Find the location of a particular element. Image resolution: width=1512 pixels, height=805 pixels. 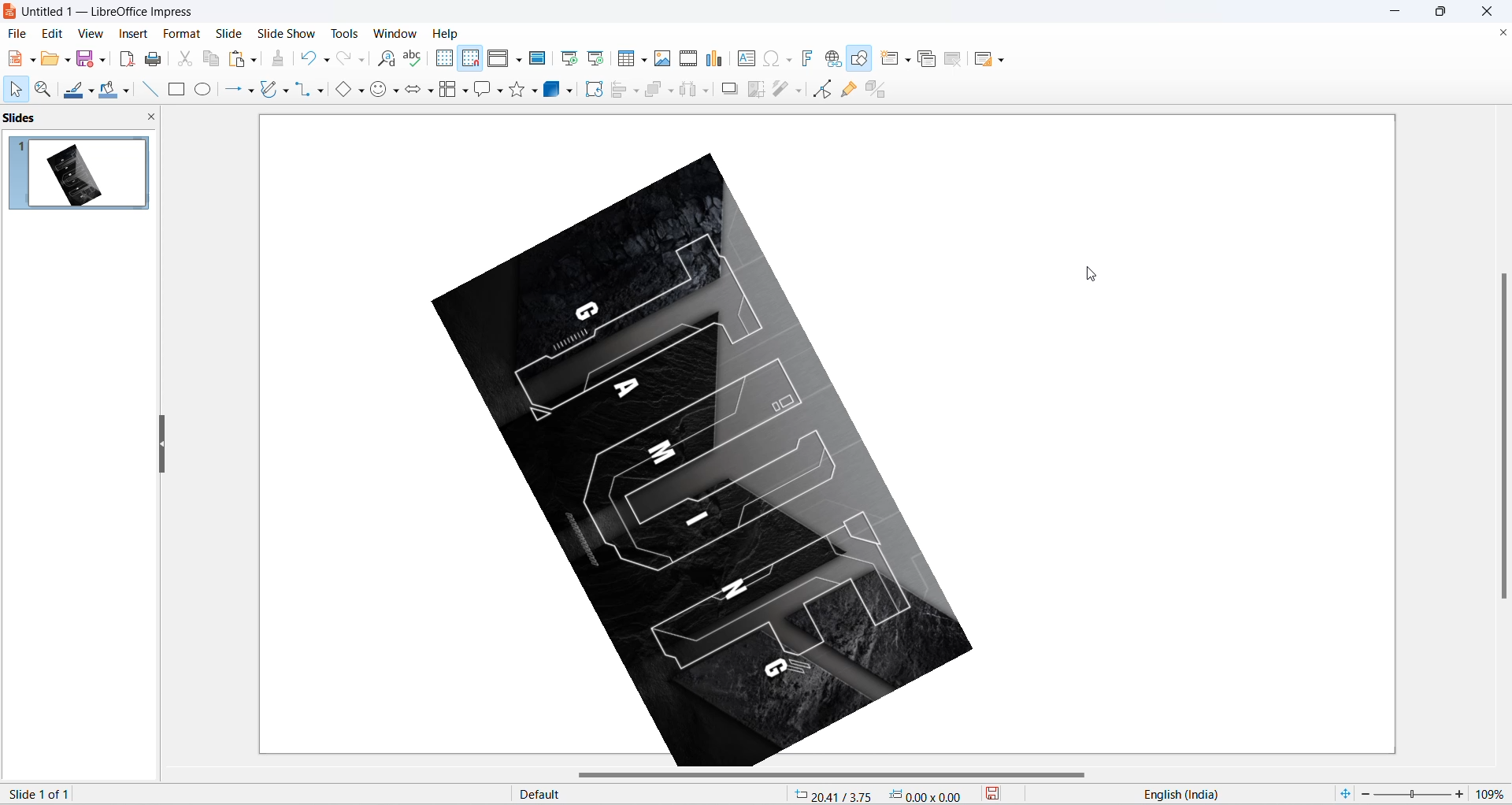

basic shapes is located at coordinates (339, 91).